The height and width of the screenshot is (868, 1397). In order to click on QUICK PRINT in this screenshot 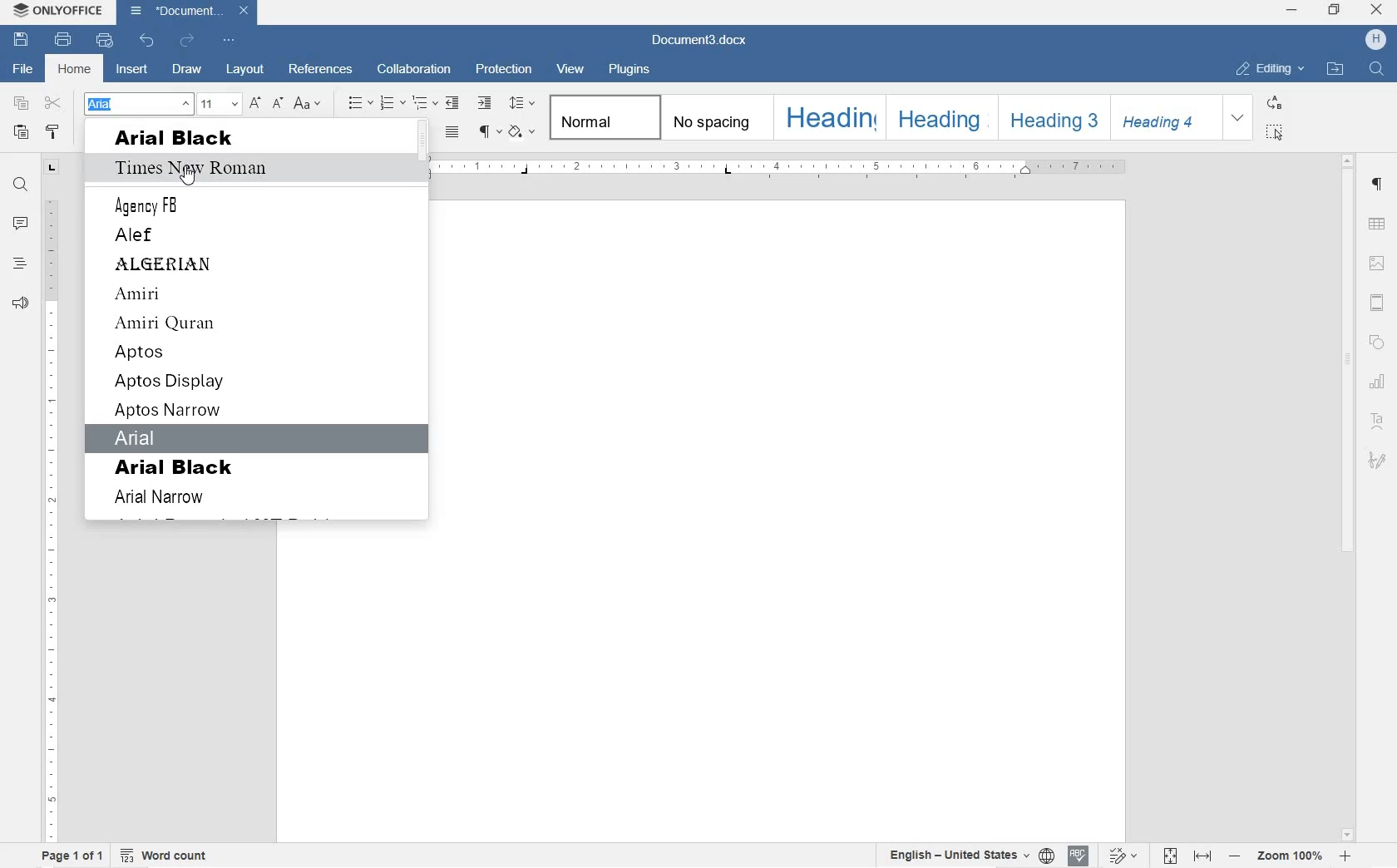, I will do `click(102, 40)`.